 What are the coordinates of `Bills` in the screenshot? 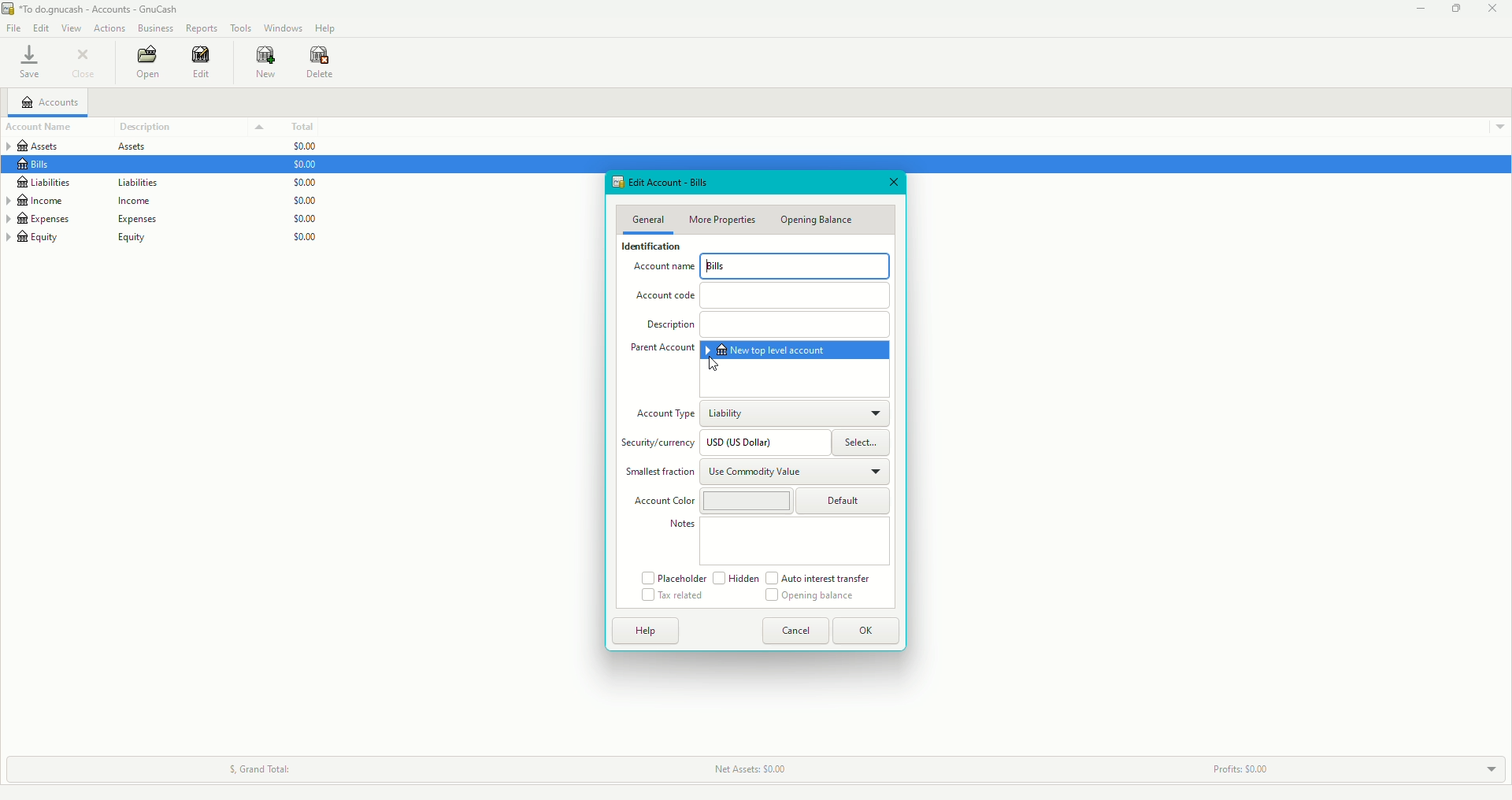 It's located at (796, 266).